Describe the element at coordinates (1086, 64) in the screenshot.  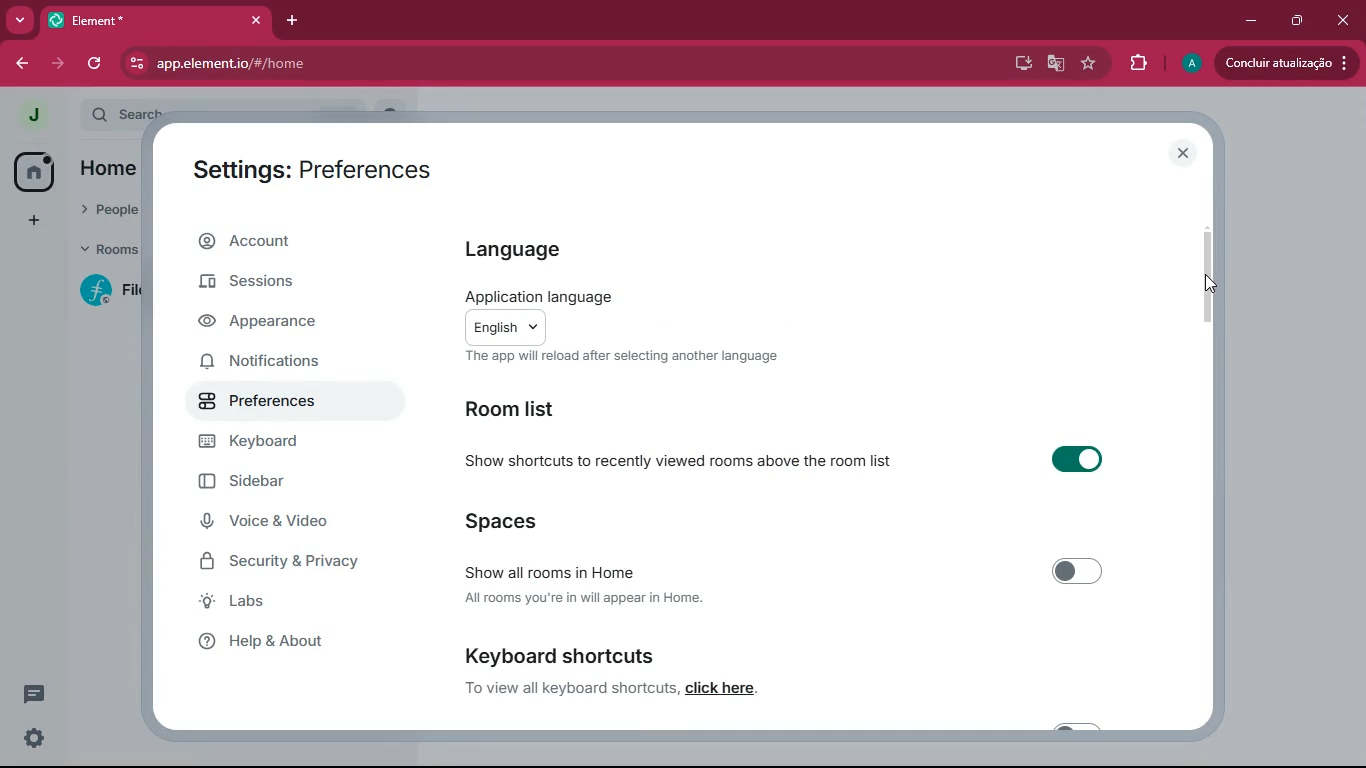
I see `favourite` at that location.